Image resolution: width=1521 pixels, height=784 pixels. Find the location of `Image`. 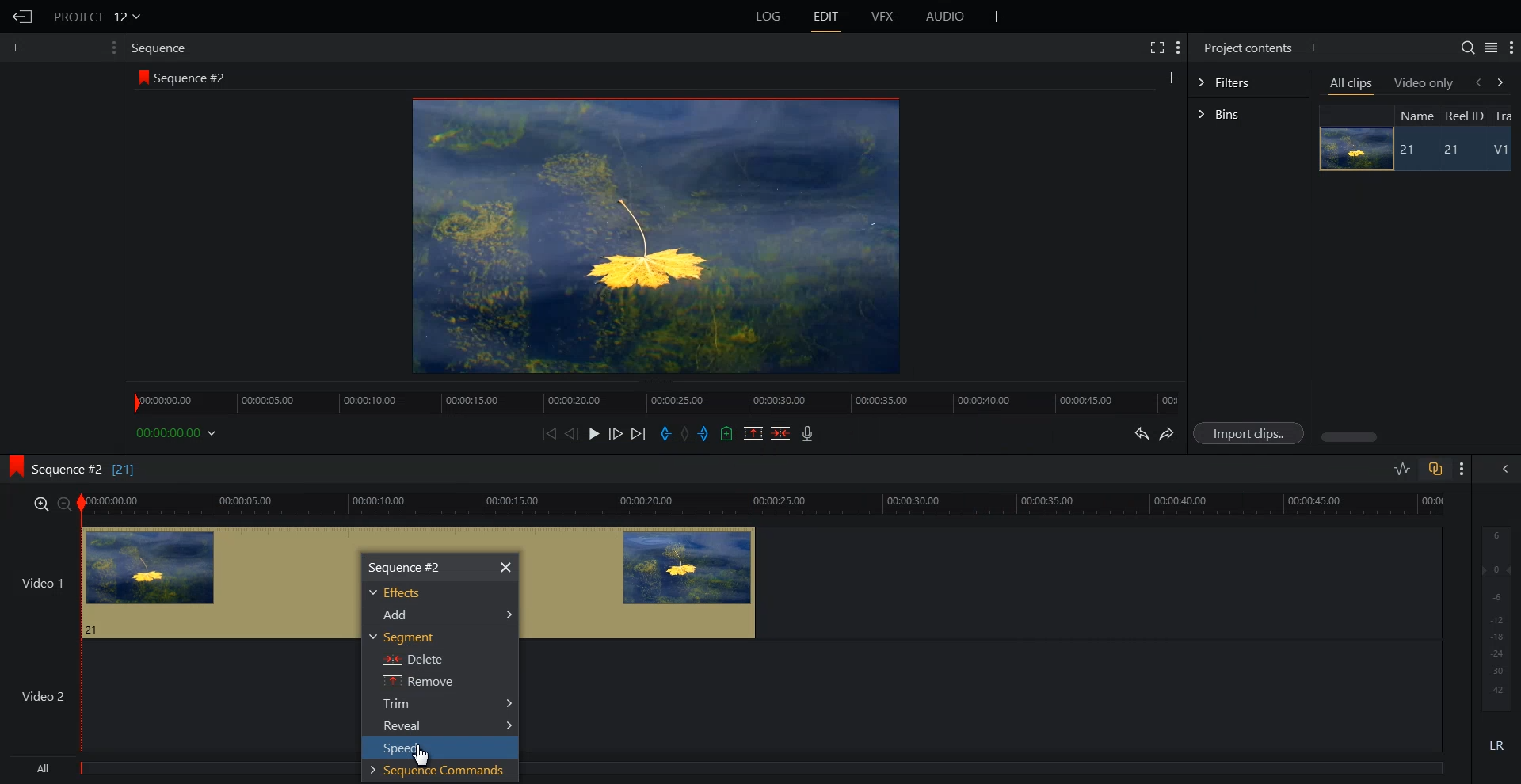

Image is located at coordinates (1351, 148).